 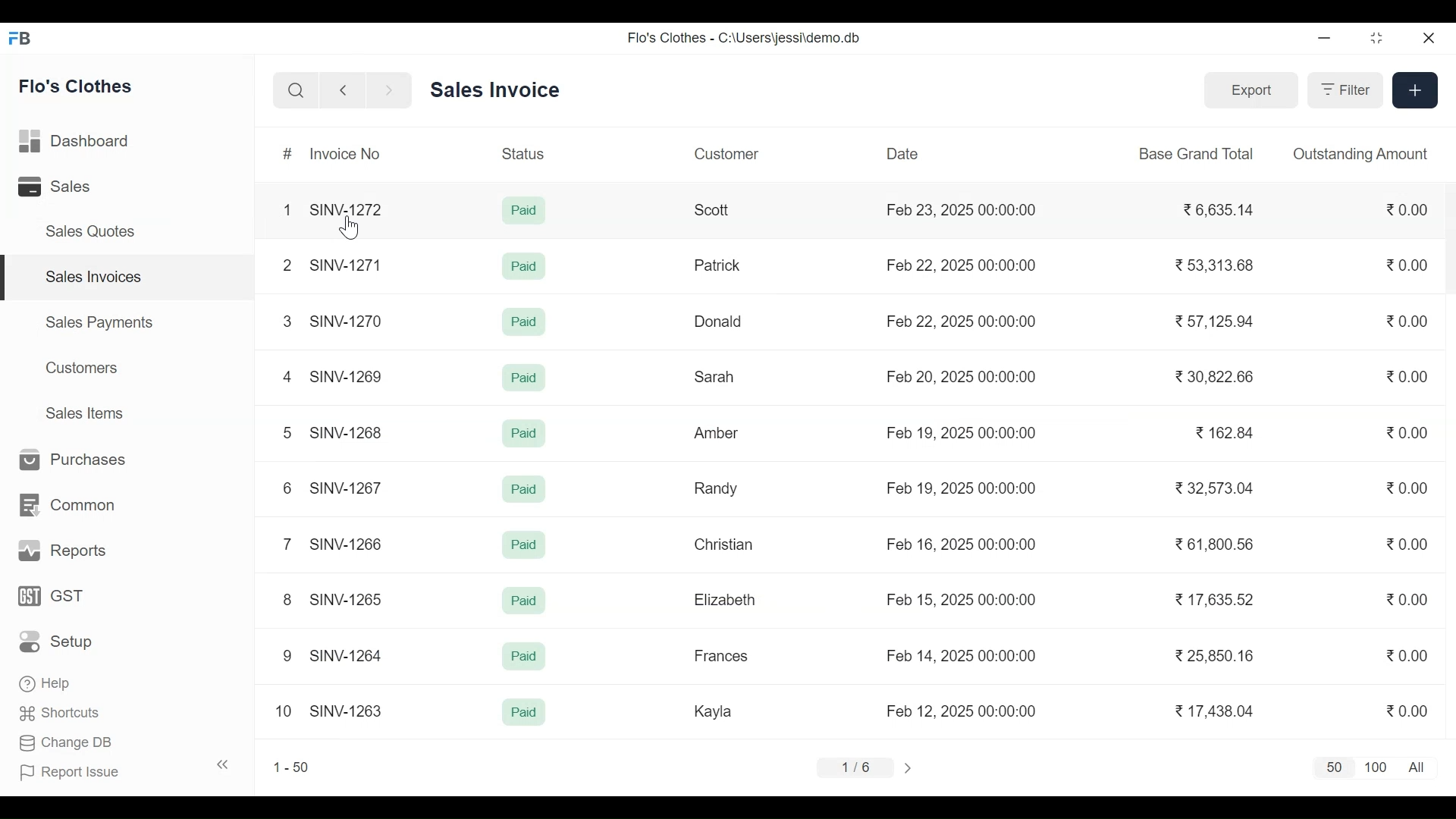 I want to click on 0.00, so click(x=1407, y=319).